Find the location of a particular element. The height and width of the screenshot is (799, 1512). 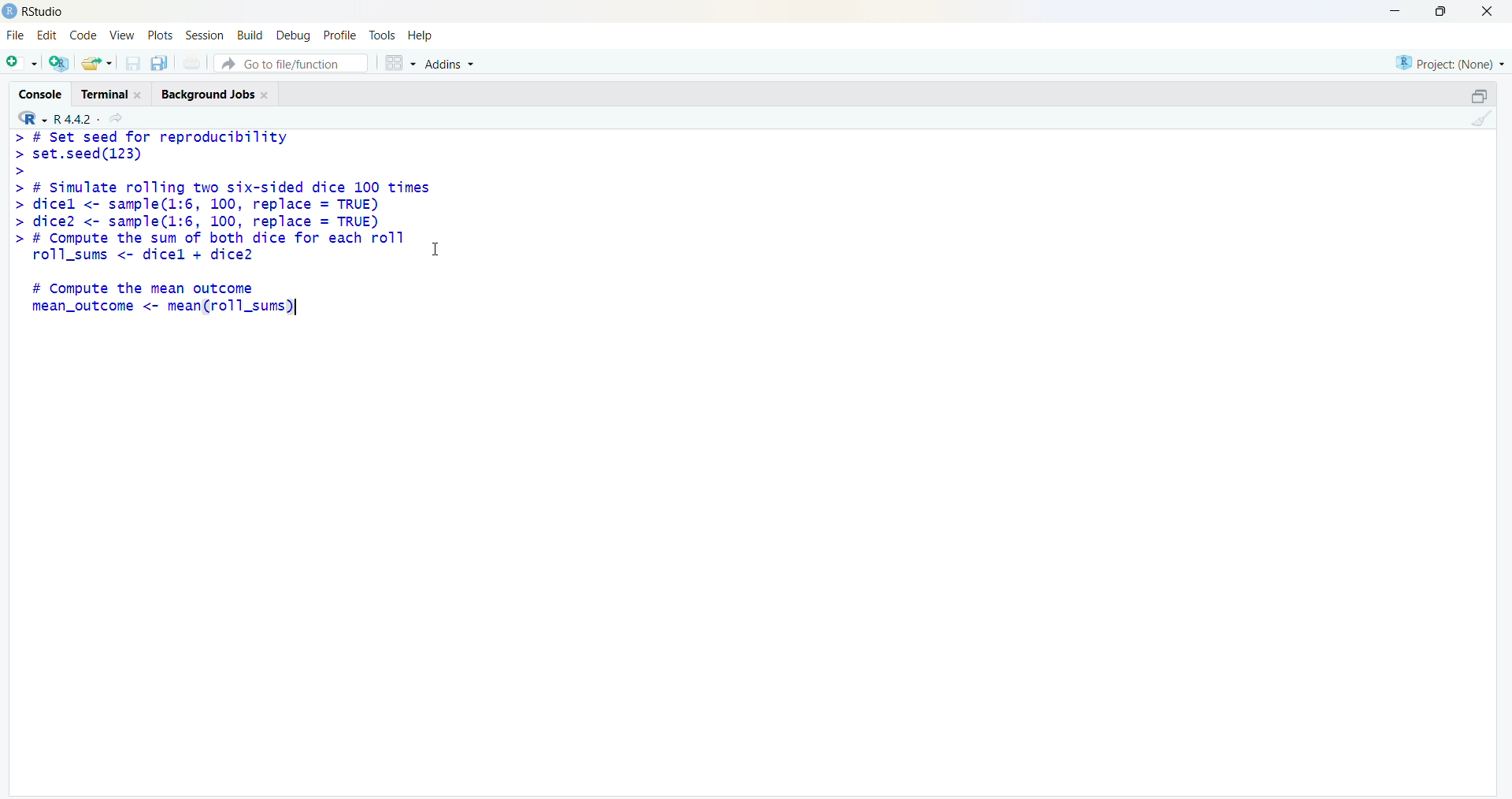

R is located at coordinates (31, 117).